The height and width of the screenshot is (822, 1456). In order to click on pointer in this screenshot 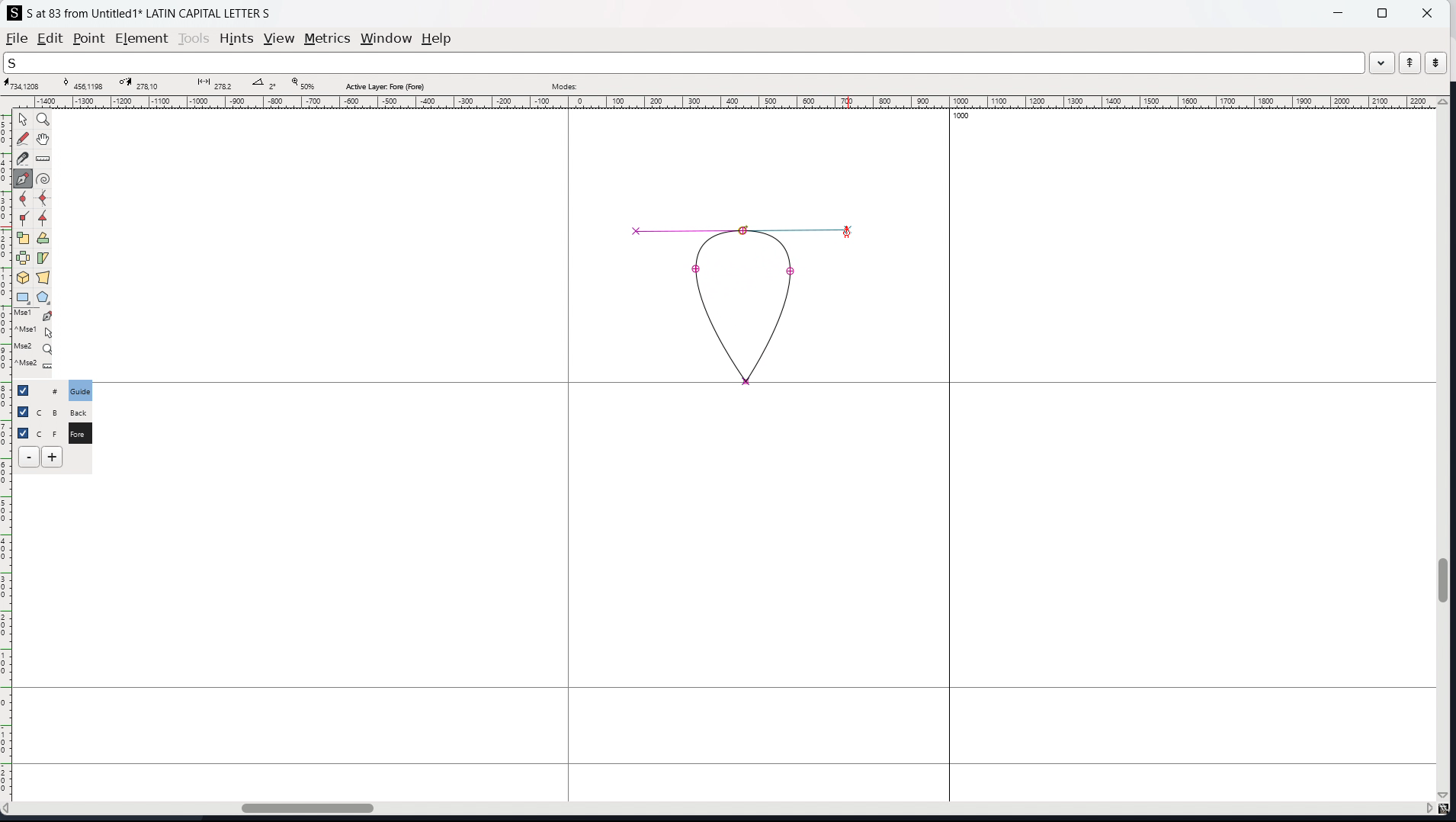, I will do `click(24, 119)`.